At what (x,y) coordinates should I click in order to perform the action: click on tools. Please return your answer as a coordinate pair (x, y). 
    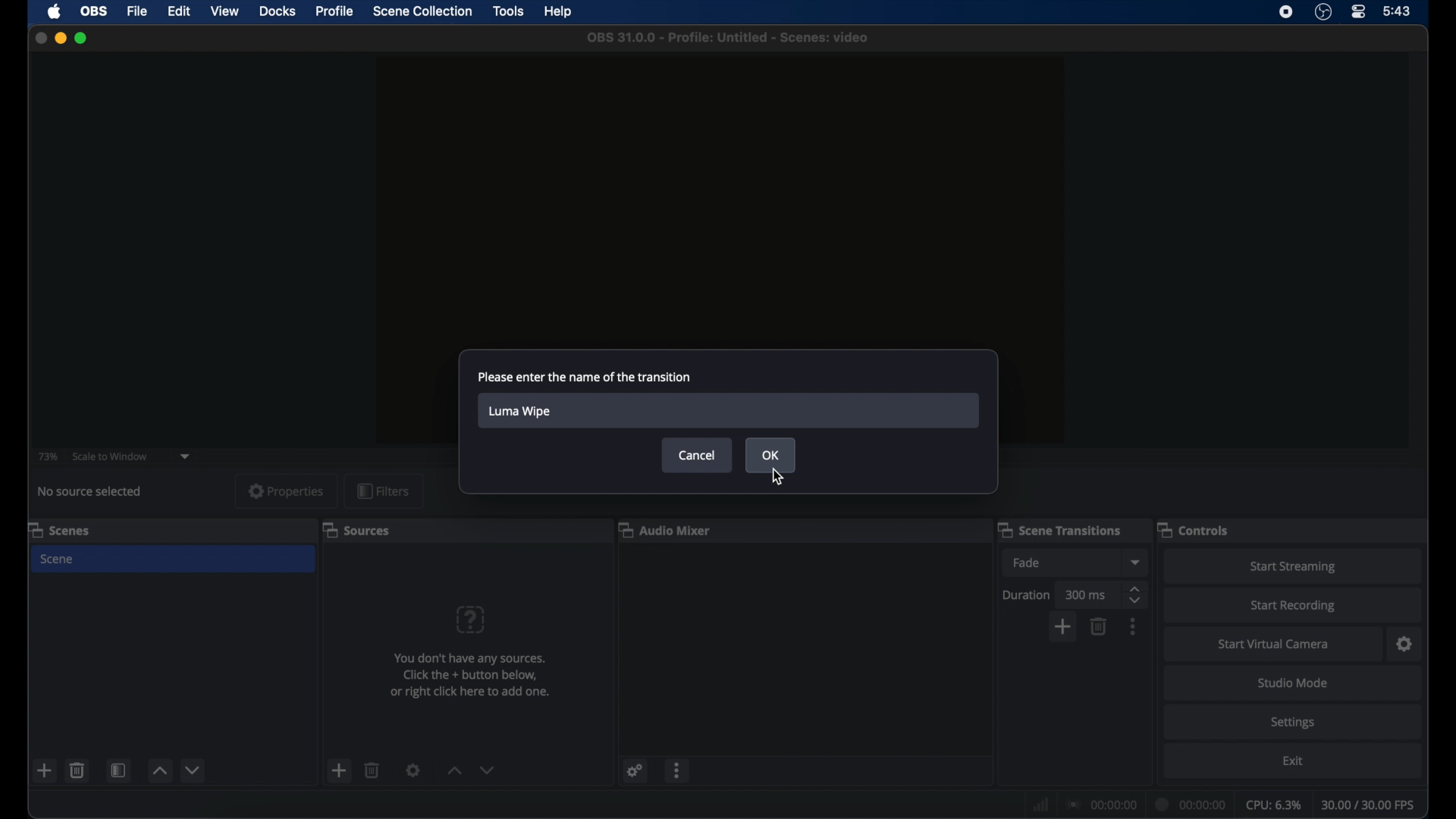
    Looking at the image, I should click on (508, 11).